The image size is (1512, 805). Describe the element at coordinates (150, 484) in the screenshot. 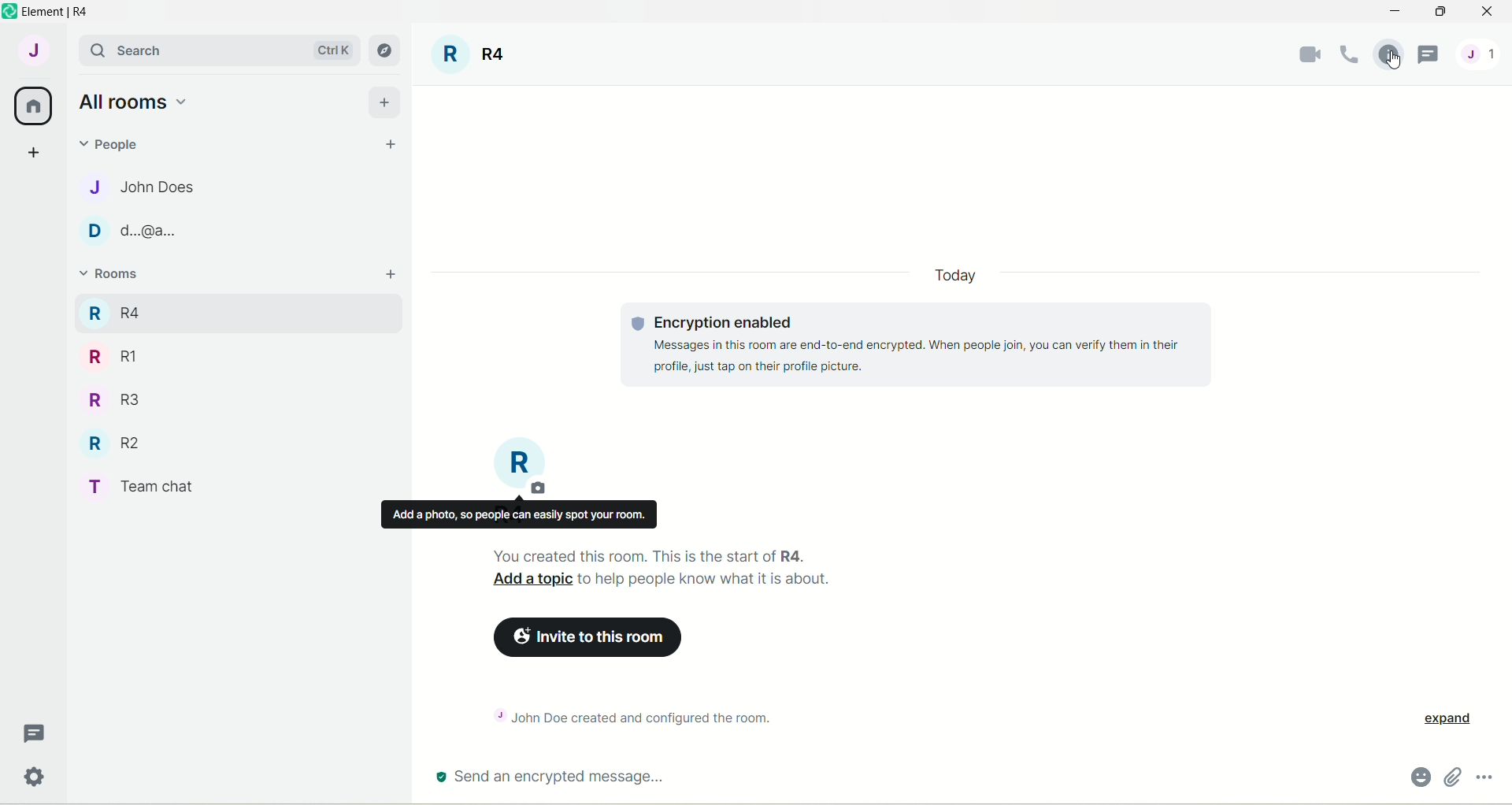

I see `T Team chat` at that location.